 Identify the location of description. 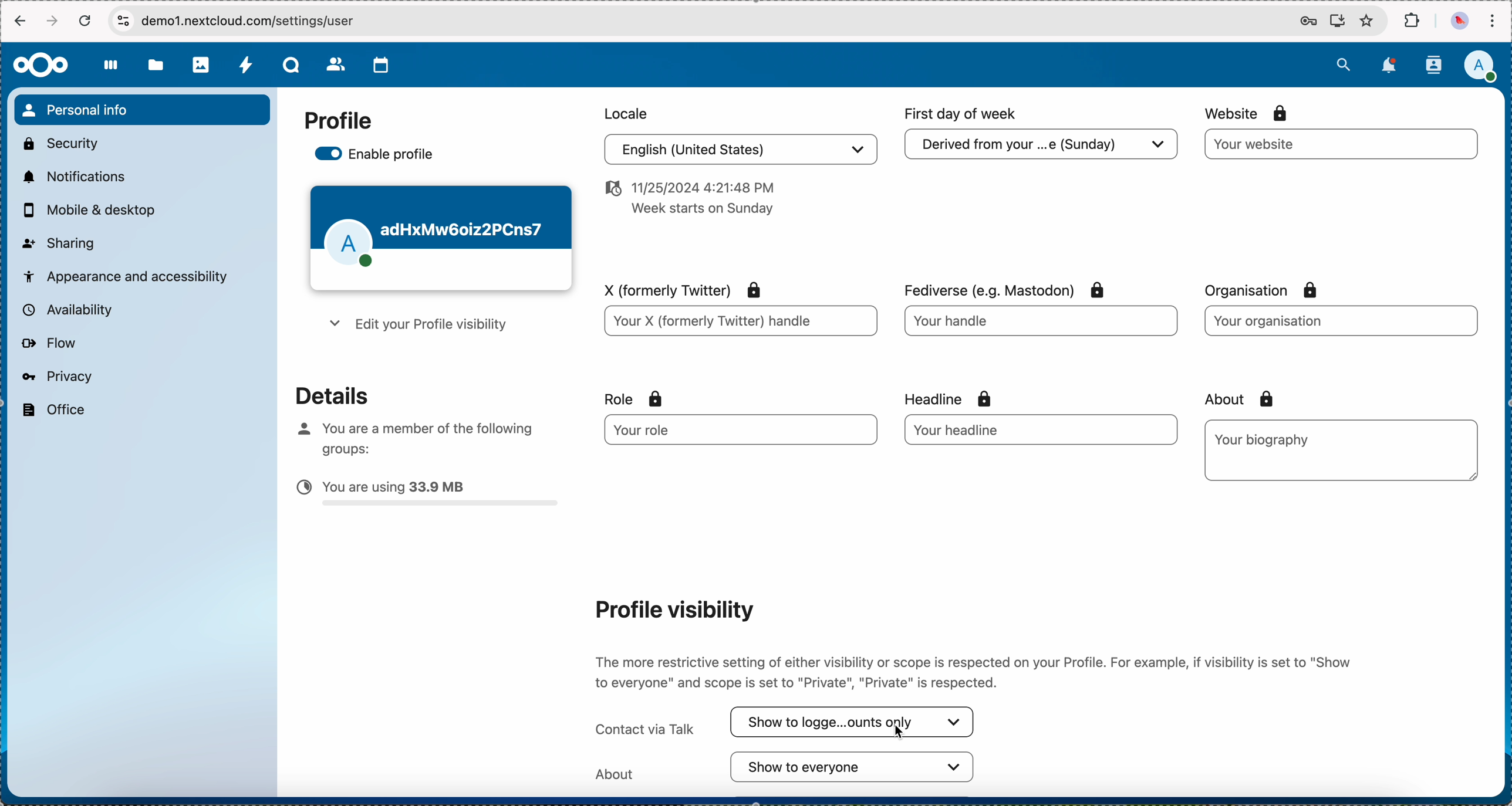
(976, 669).